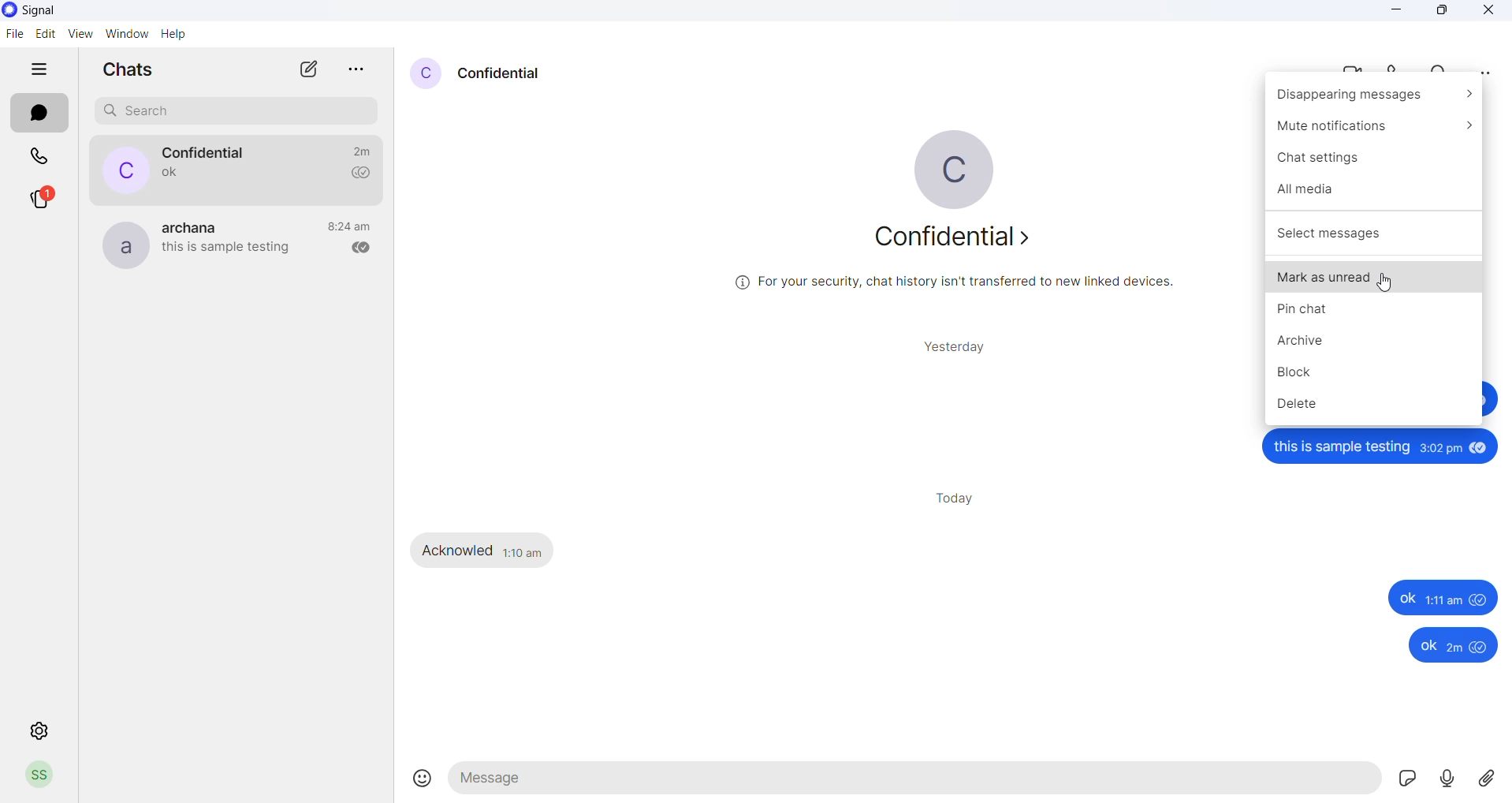  Describe the element at coordinates (39, 775) in the screenshot. I see `profile` at that location.